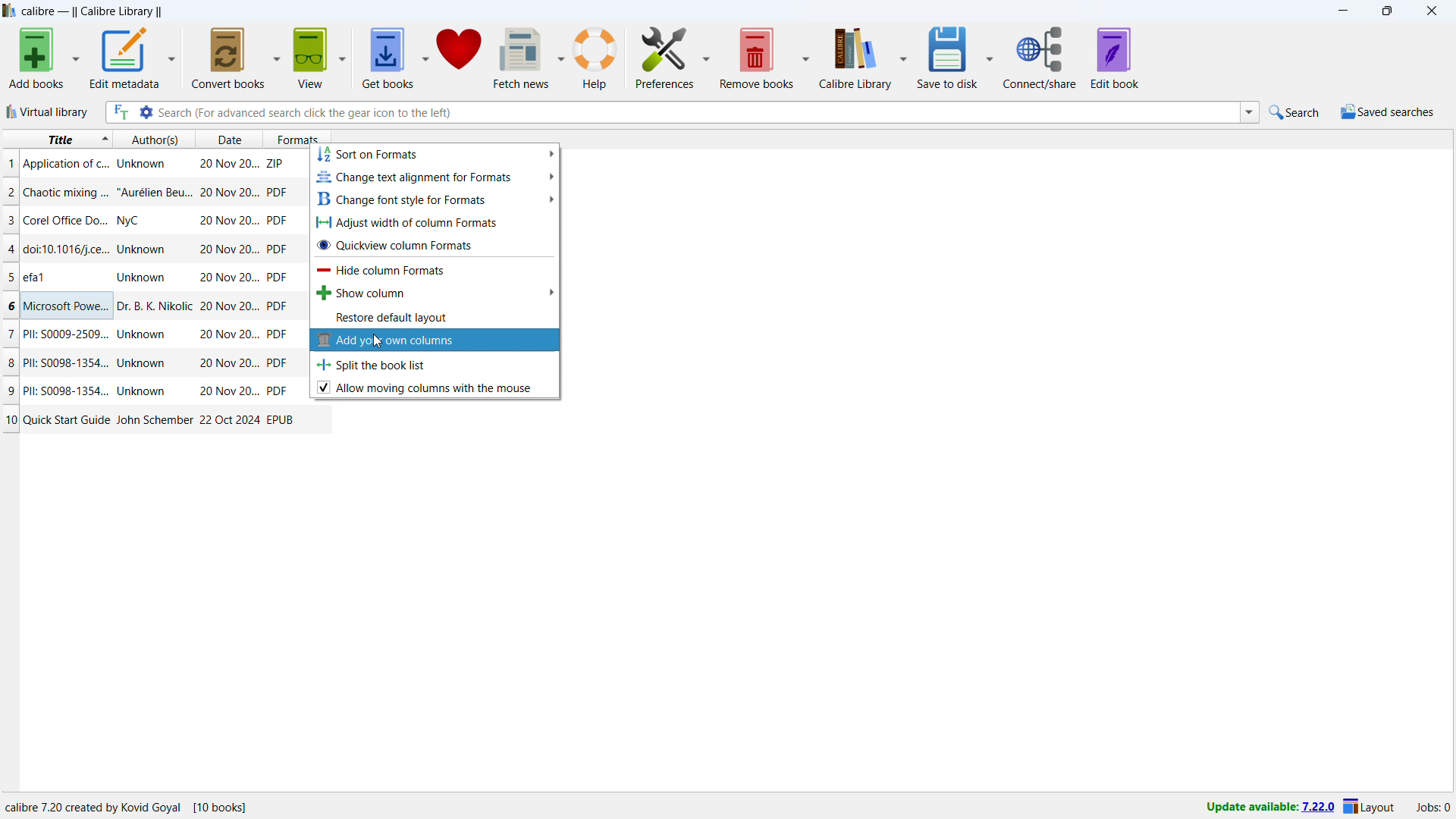  I want to click on 5, so click(9, 278).